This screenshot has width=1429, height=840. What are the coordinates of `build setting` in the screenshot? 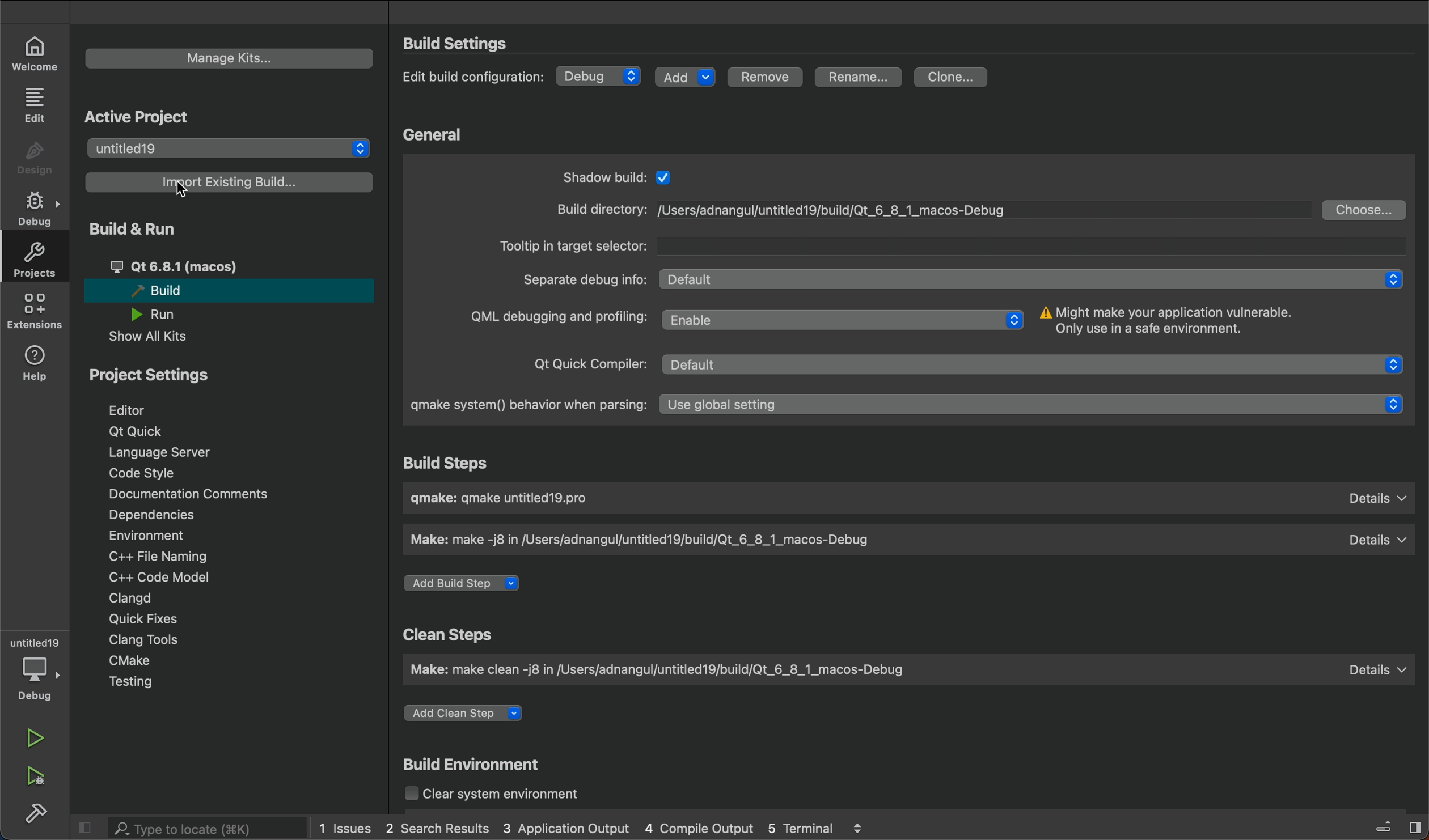 It's located at (460, 43).